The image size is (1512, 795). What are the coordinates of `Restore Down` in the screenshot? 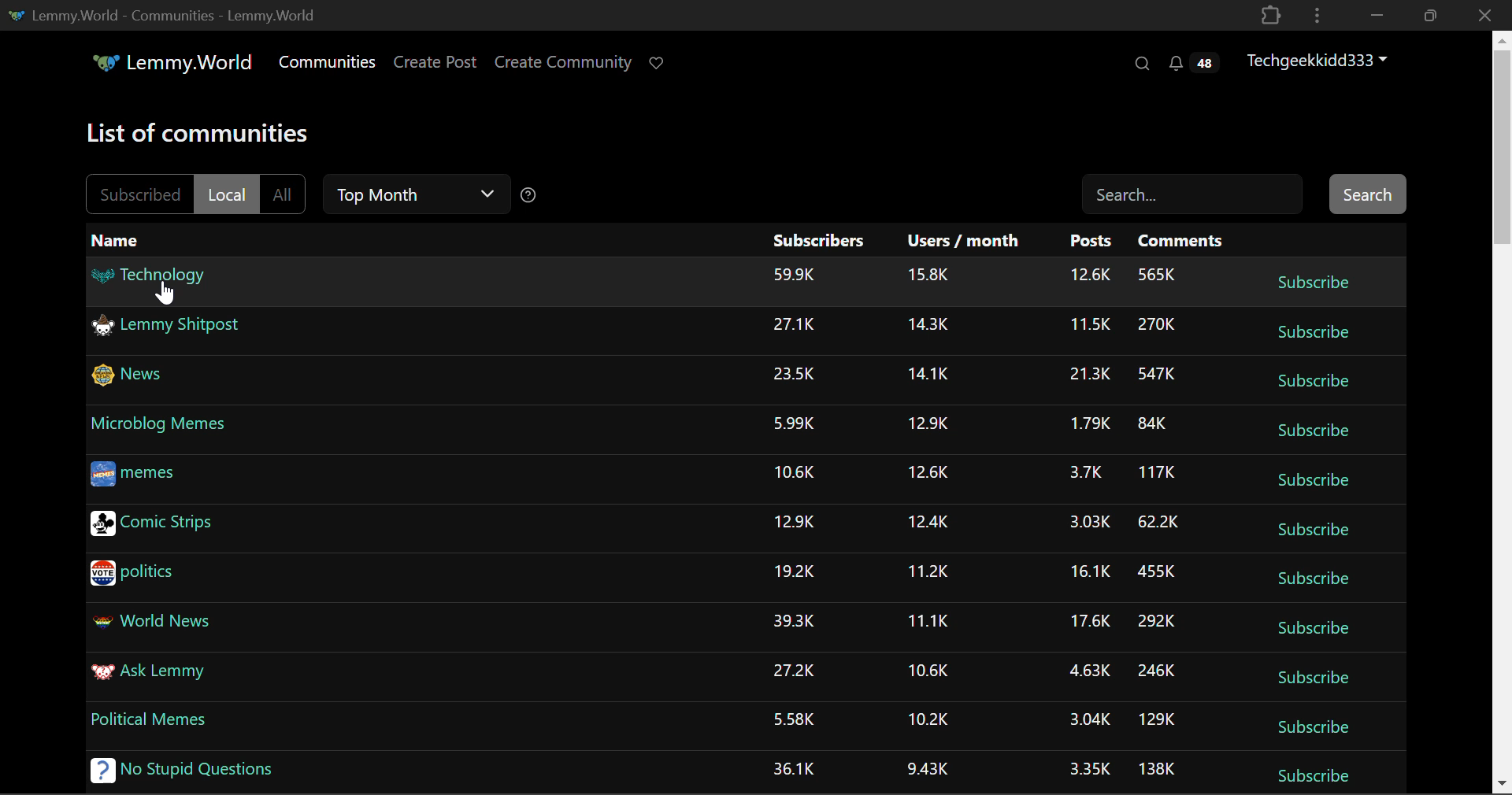 It's located at (1374, 15).